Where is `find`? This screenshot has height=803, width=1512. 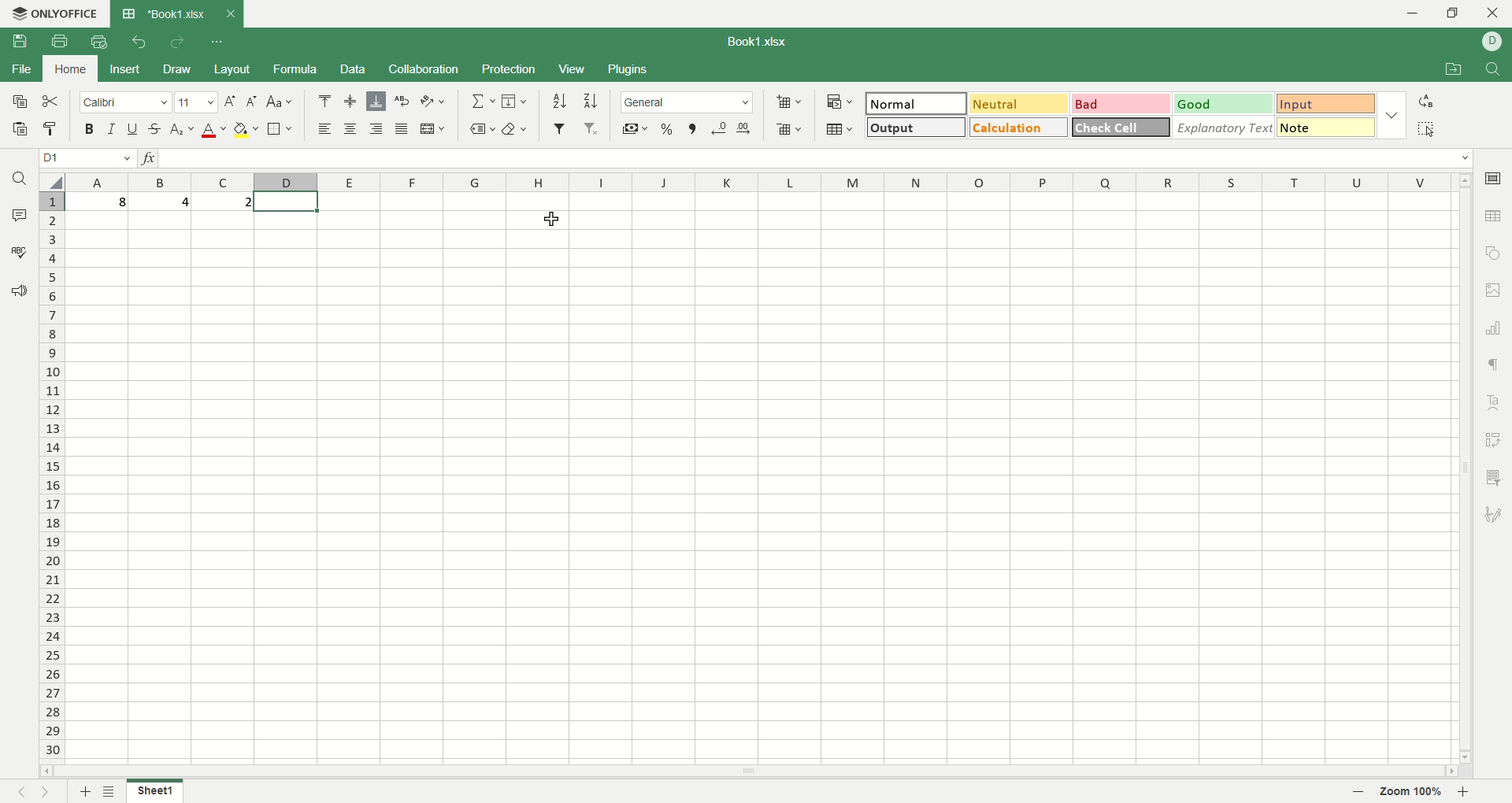 find is located at coordinates (24, 178).